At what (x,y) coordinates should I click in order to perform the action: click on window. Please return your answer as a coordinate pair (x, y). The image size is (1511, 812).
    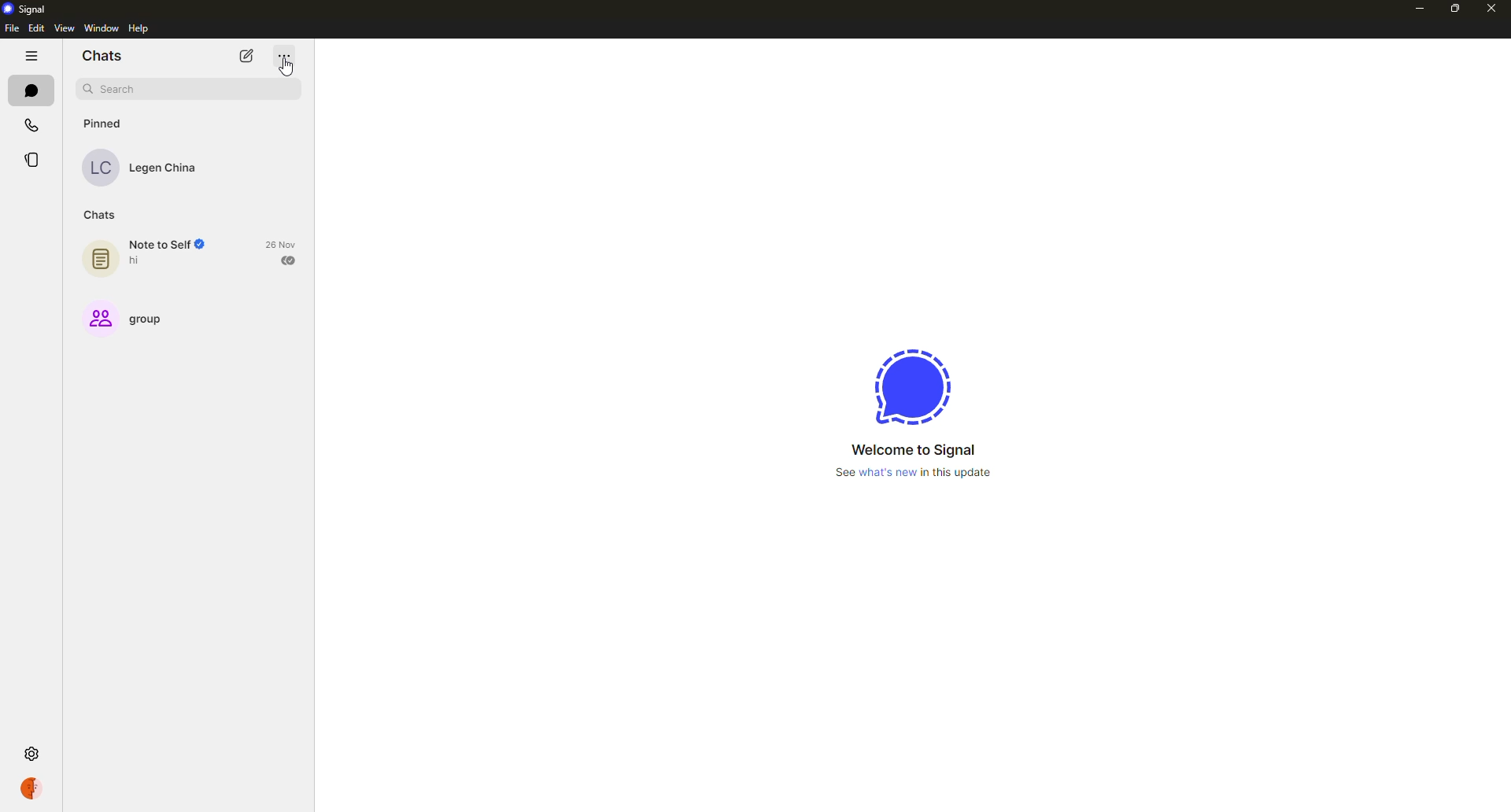
    Looking at the image, I should click on (102, 28).